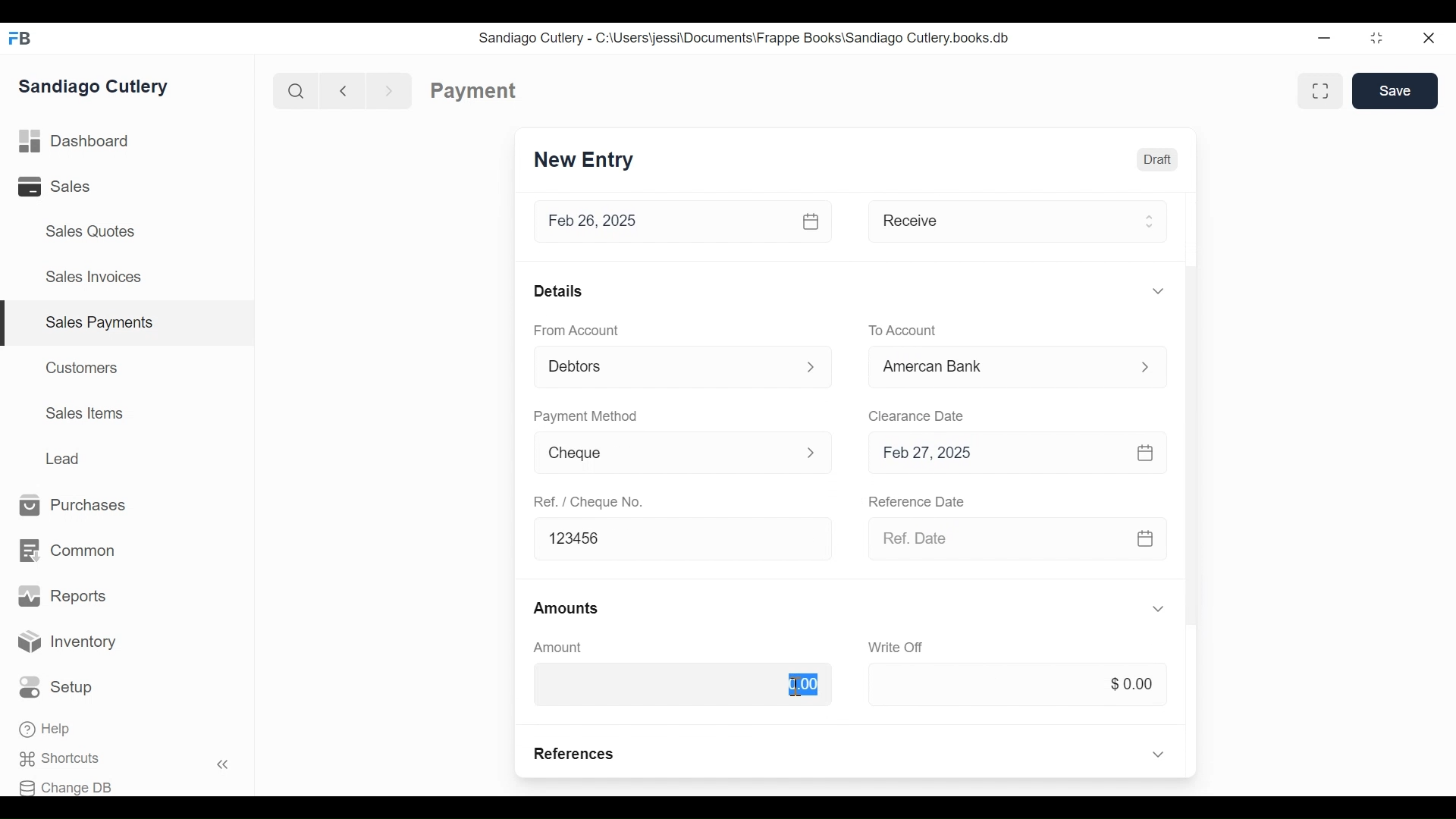 The width and height of the screenshot is (1456, 819). What do you see at coordinates (60, 688) in the screenshot?
I see `Setup` at bounding box center [60, 688].